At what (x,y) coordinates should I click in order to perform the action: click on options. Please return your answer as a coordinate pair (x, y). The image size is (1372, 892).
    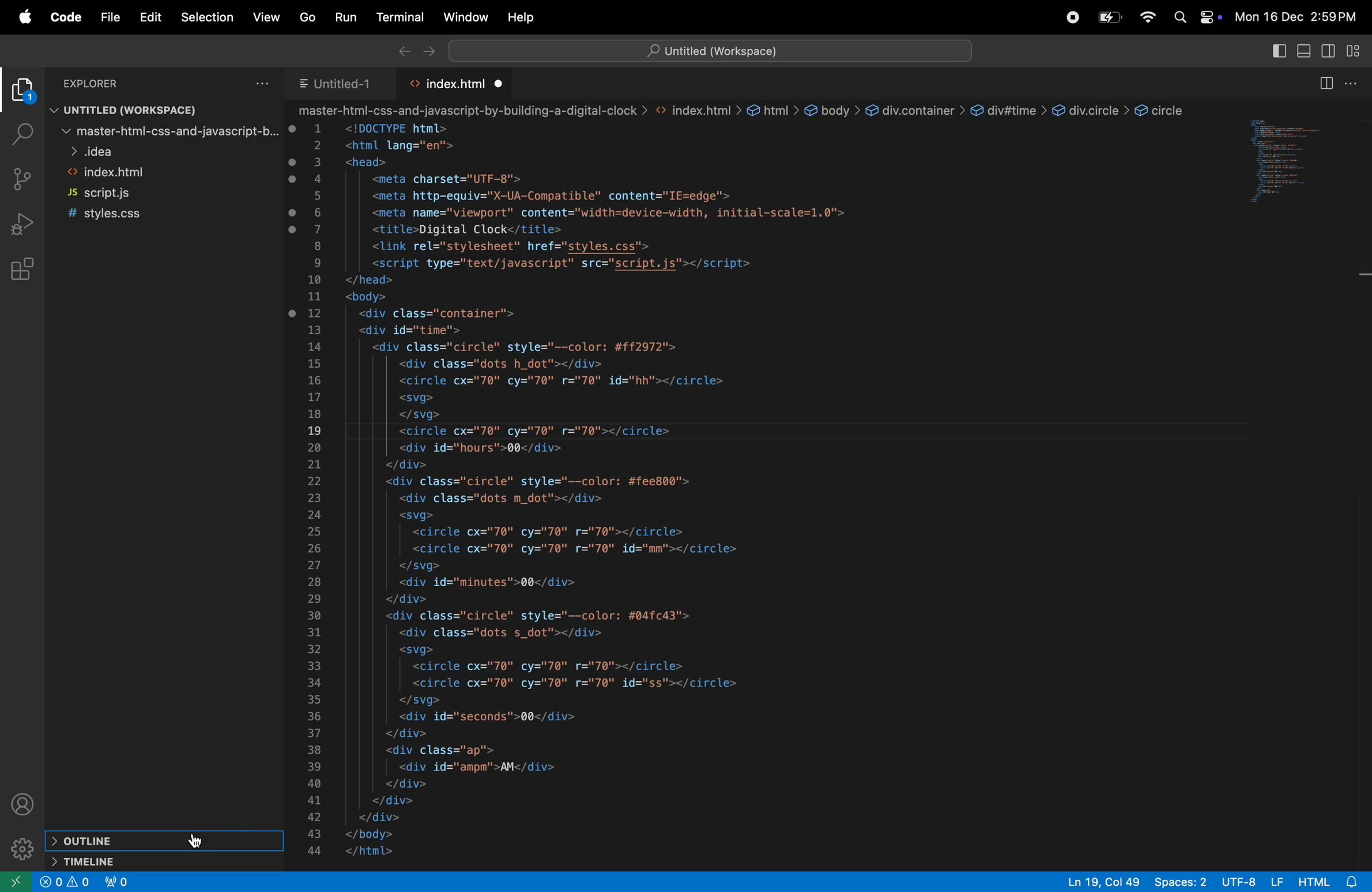
    Looking at the image, I should click on (1353, 83).